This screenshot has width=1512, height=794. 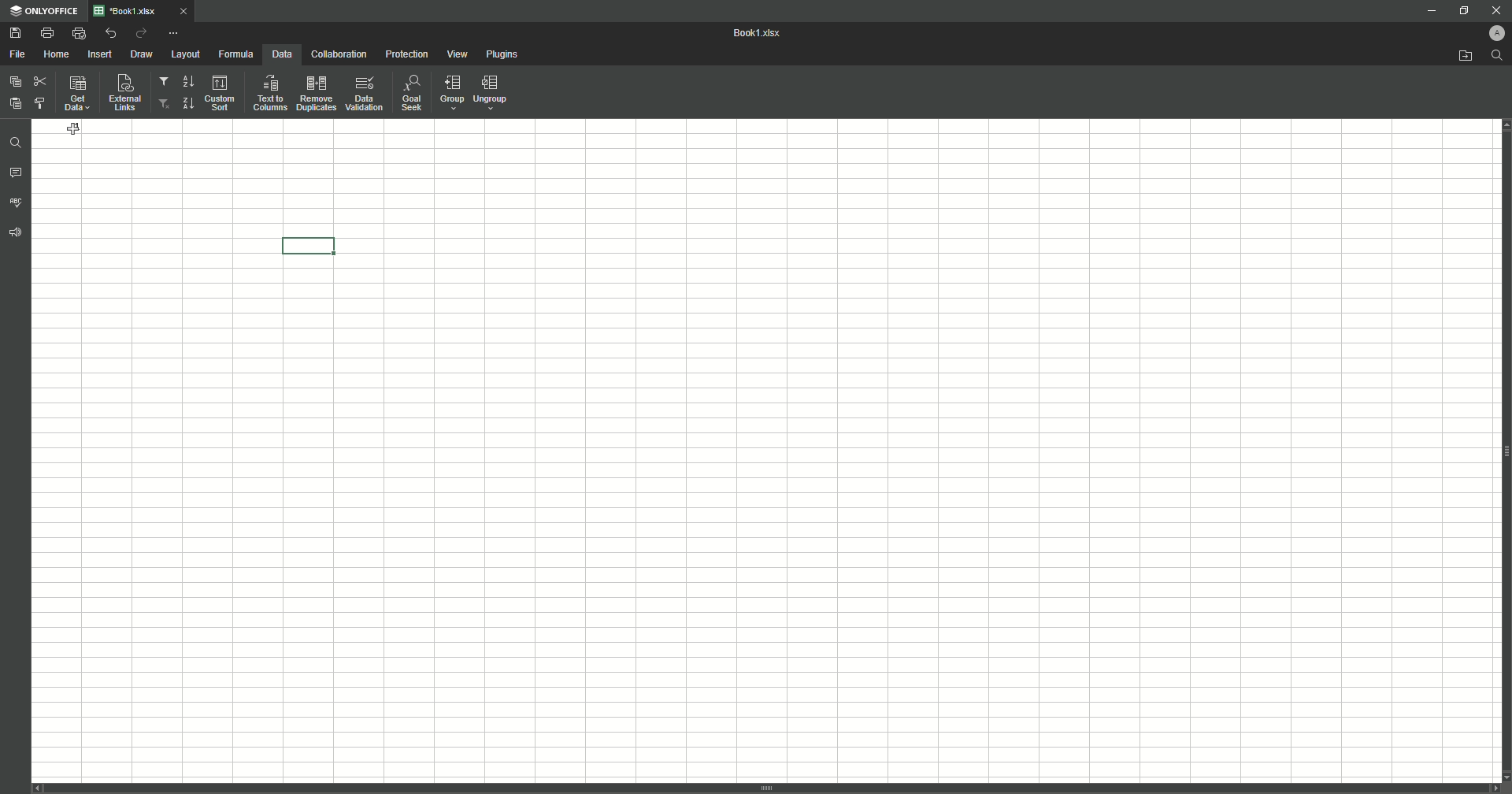 What do you see at coordinates (504, 55) in the screenshot?
I see `Plugins` at bounding box center [504, 55].